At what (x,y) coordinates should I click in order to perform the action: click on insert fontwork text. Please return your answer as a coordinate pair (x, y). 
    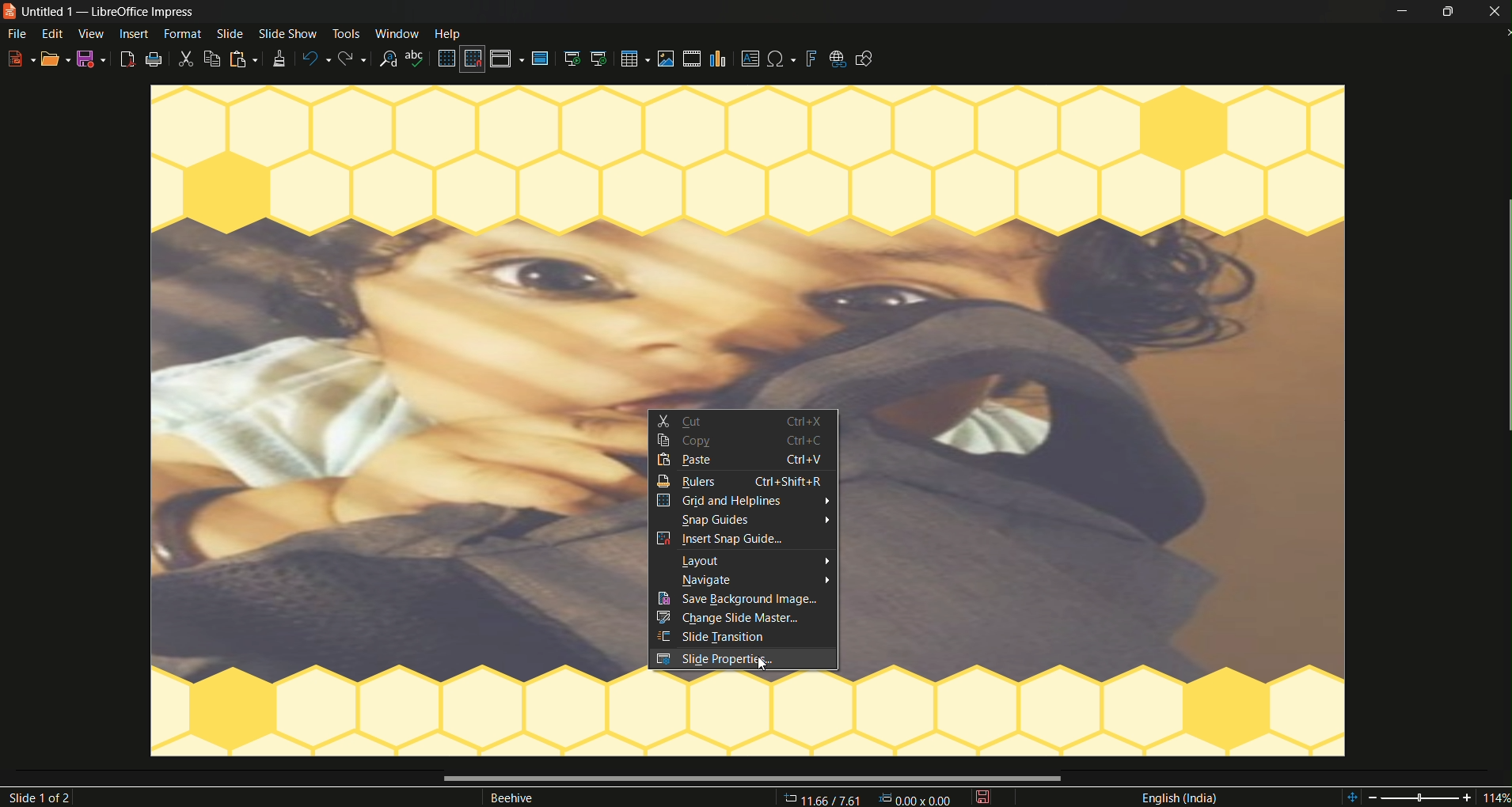
    Looking at the image, I should click on (812, 59).